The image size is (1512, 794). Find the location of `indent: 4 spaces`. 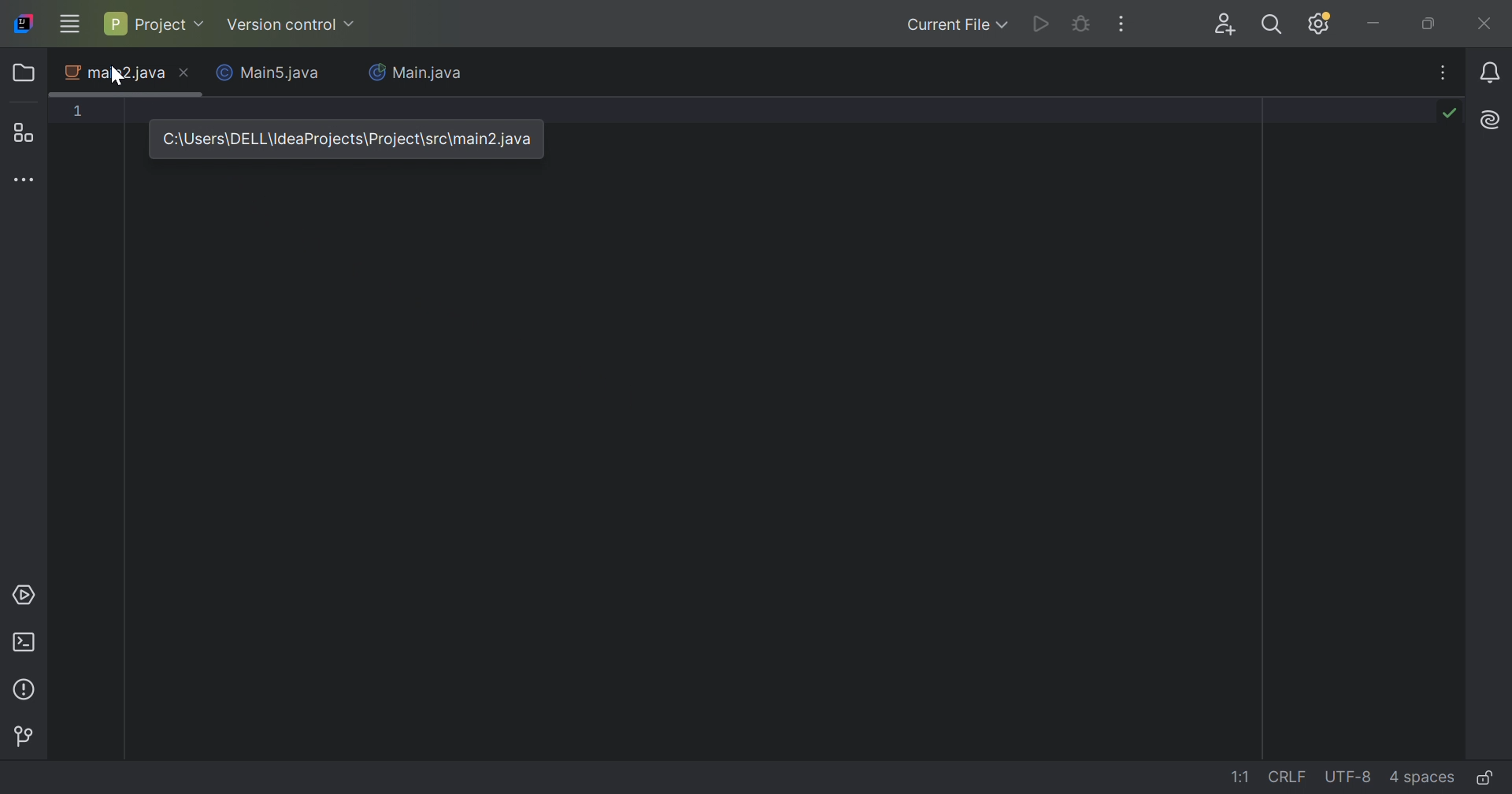

indent: 4 spaces is located at coordinates (1425, 777).